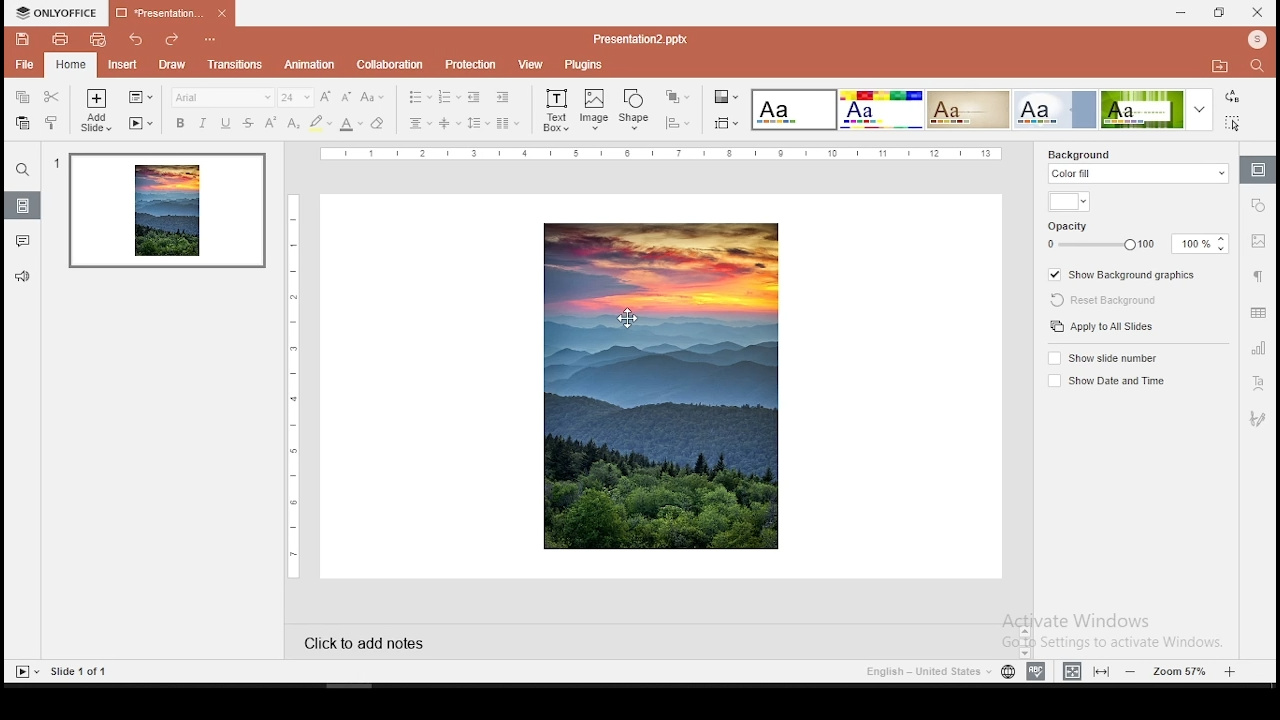 This screenshot has width=1280, height=720. Describe the element at coordinates (448, 96) in the screenshot. I see `numbering` at that location.